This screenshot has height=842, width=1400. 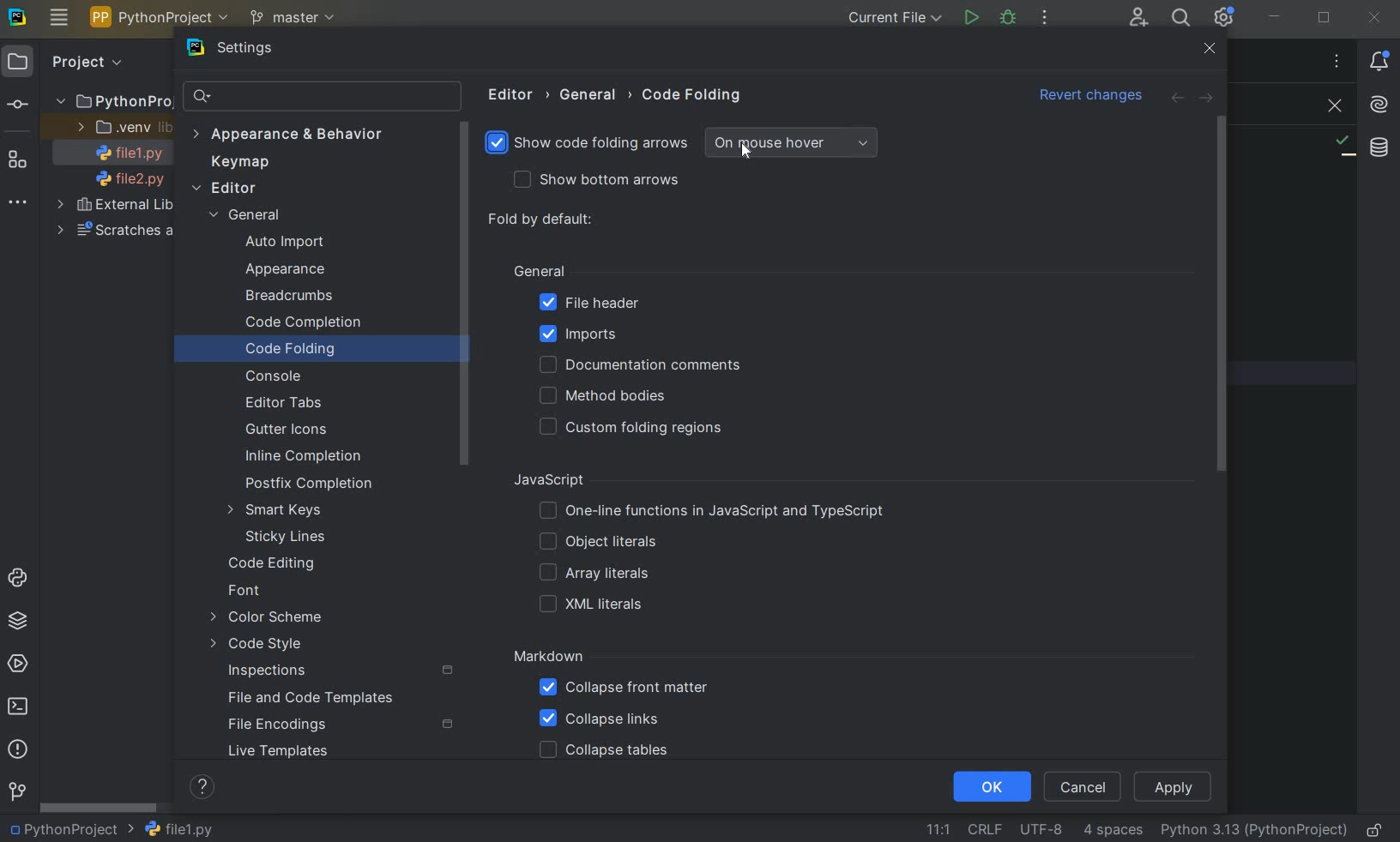 I want to click on PROJECT, so click(x=67, y=63).